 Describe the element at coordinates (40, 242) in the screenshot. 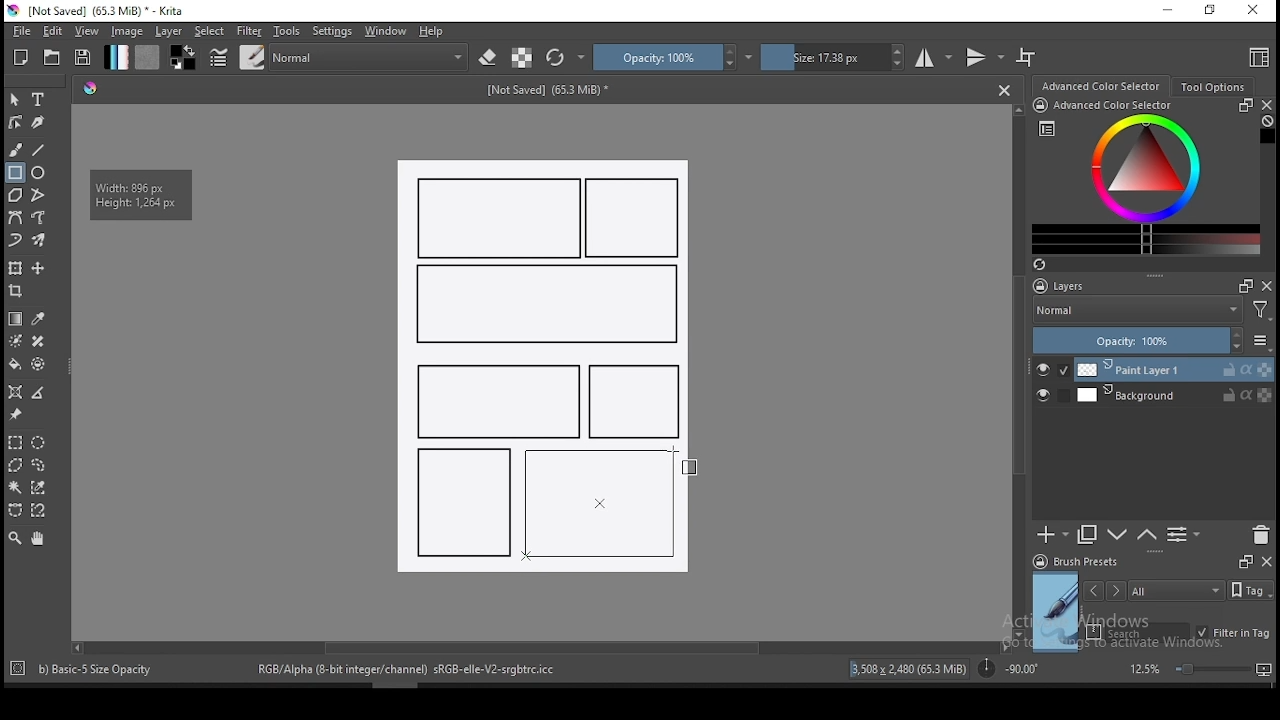

I see `multibrush tool` at that location.